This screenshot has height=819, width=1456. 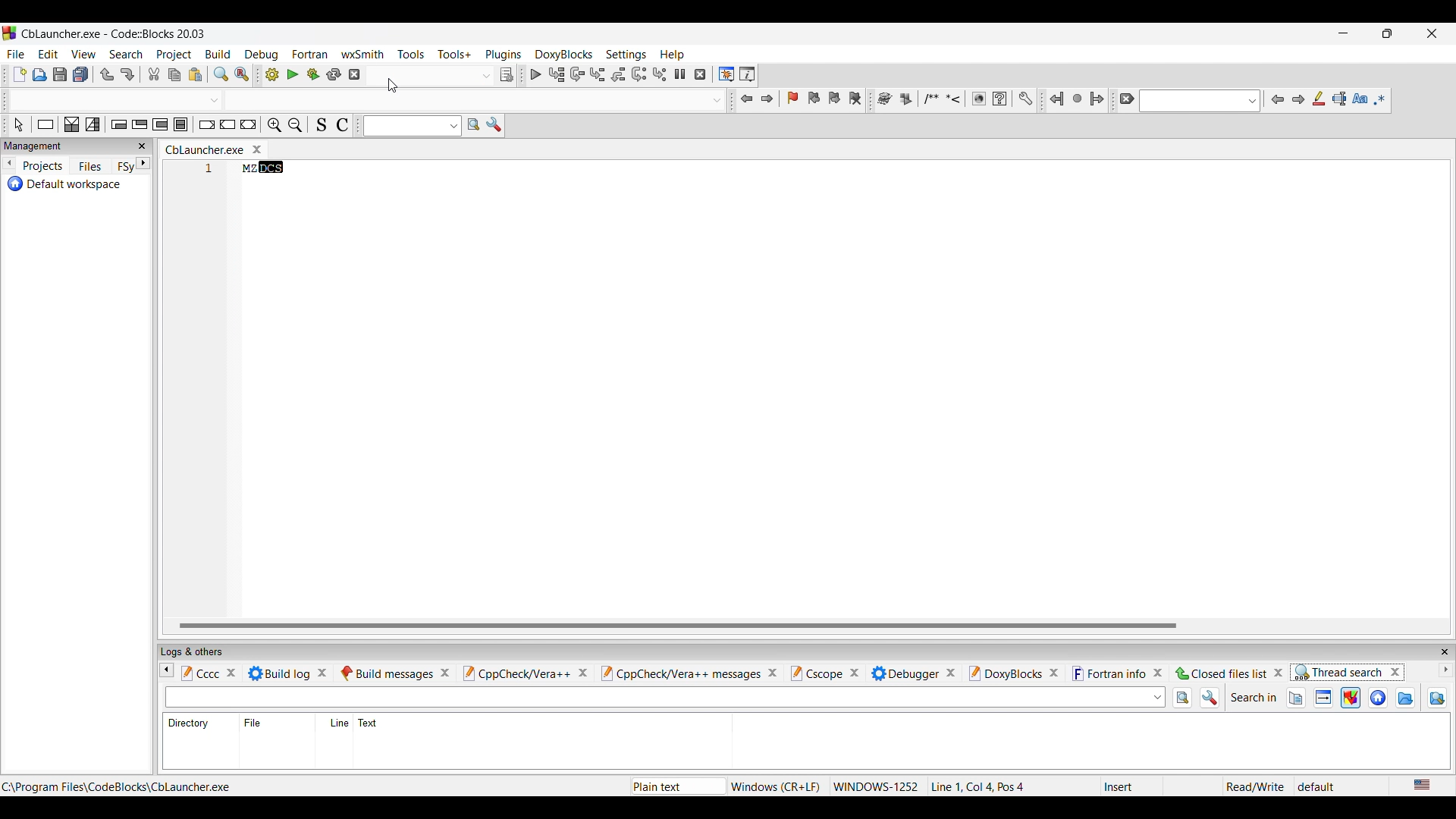 I want to click on Continue instruction, so click(x=228, y=124).